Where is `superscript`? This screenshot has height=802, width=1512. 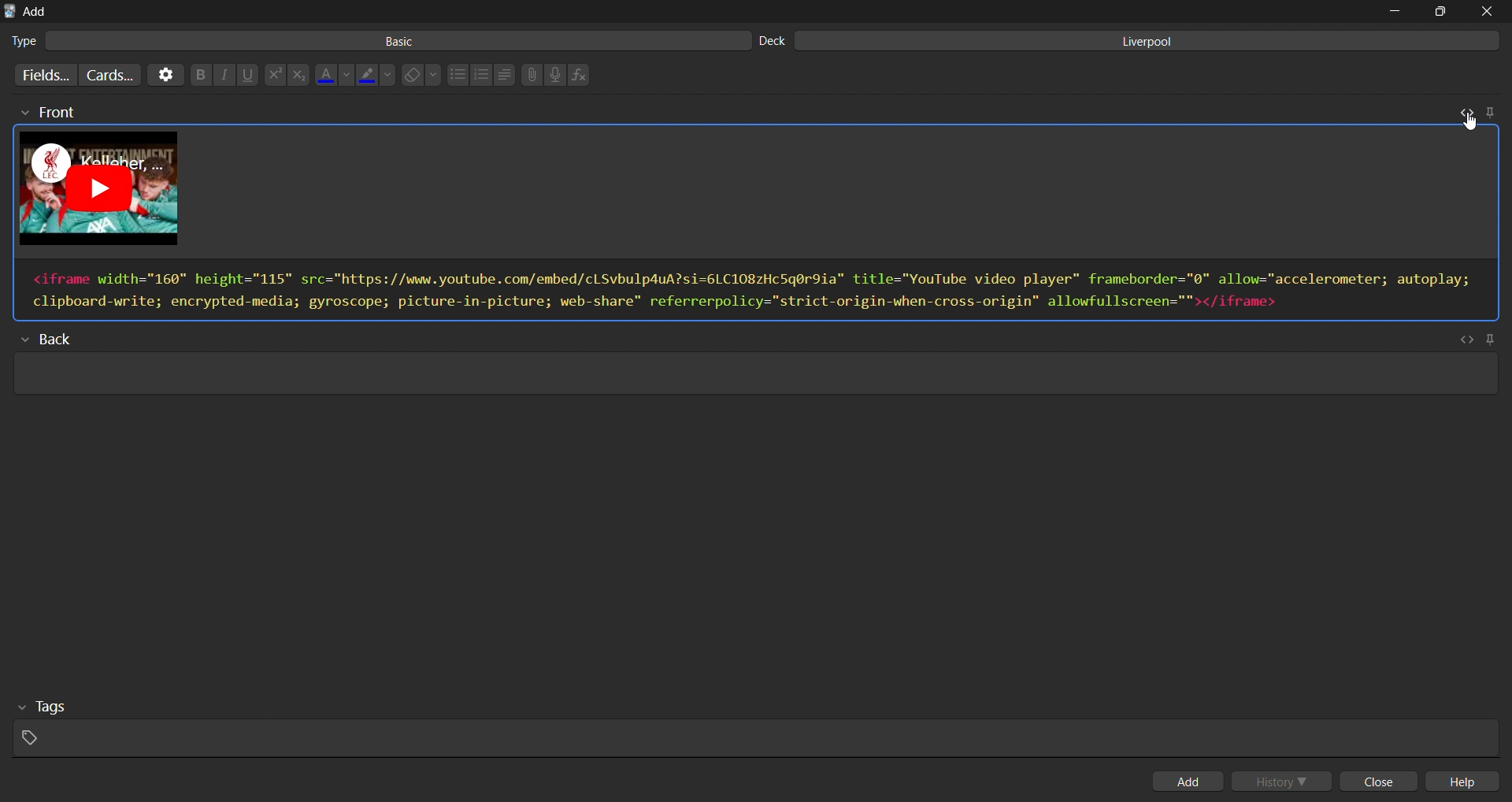
superscript is located at coordinates (273, 76).